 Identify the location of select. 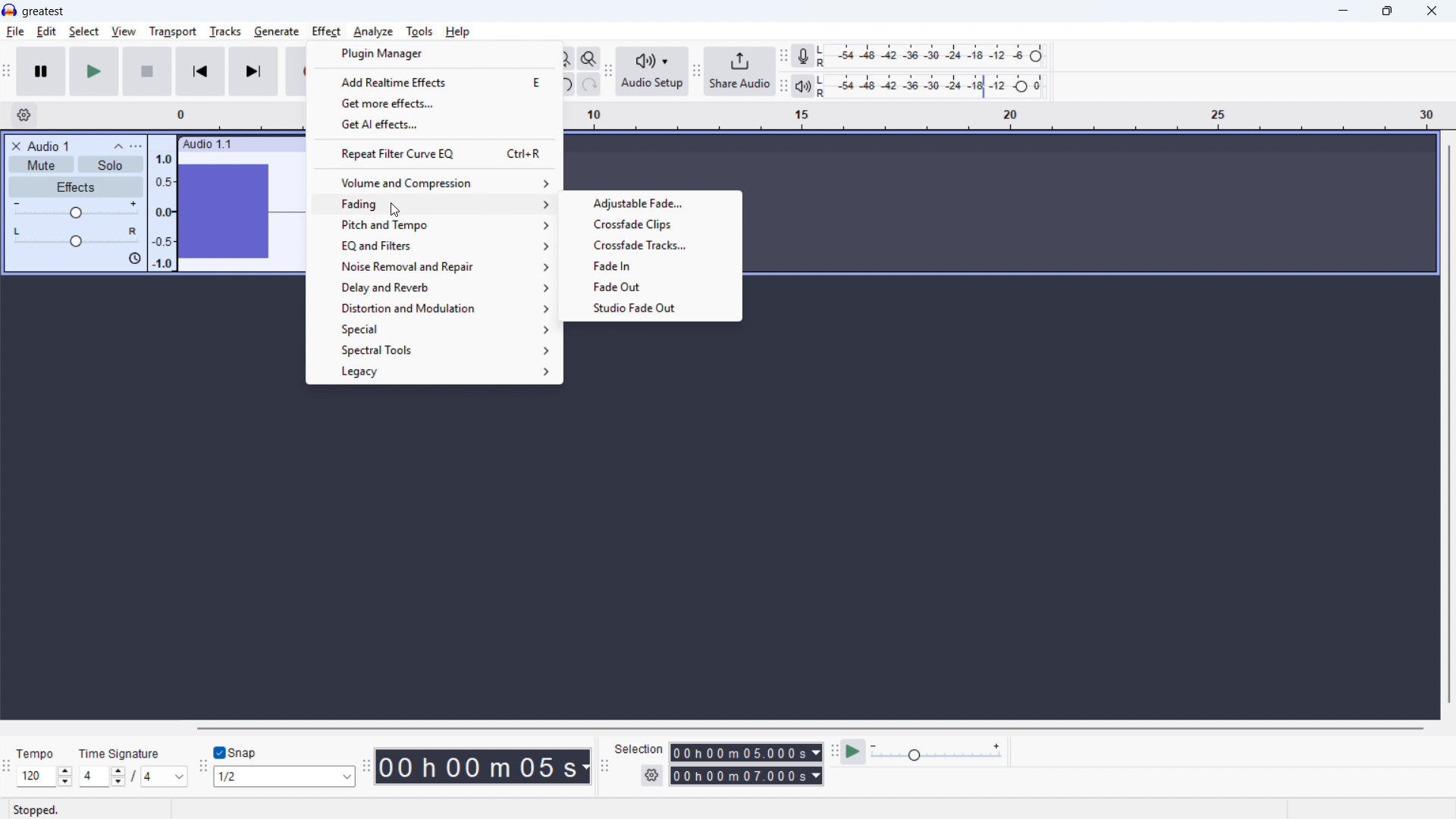
(84, 32).